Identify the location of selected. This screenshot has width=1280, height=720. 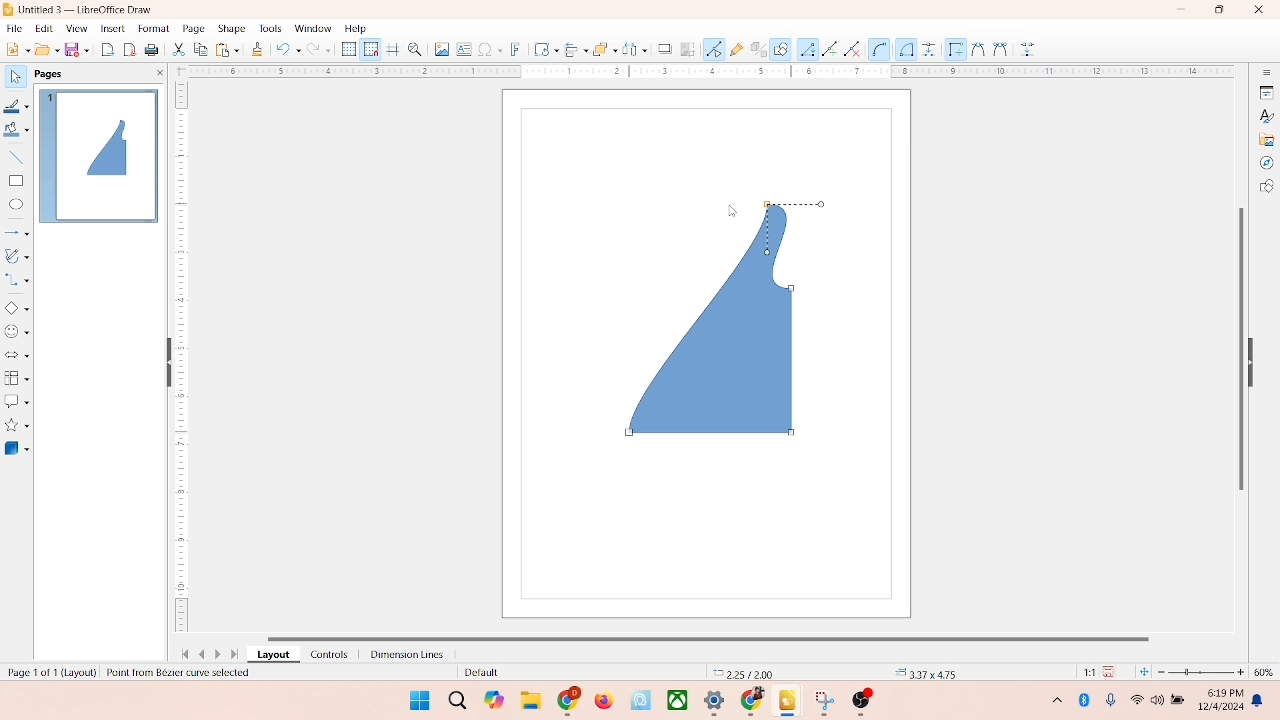
(177, 673).